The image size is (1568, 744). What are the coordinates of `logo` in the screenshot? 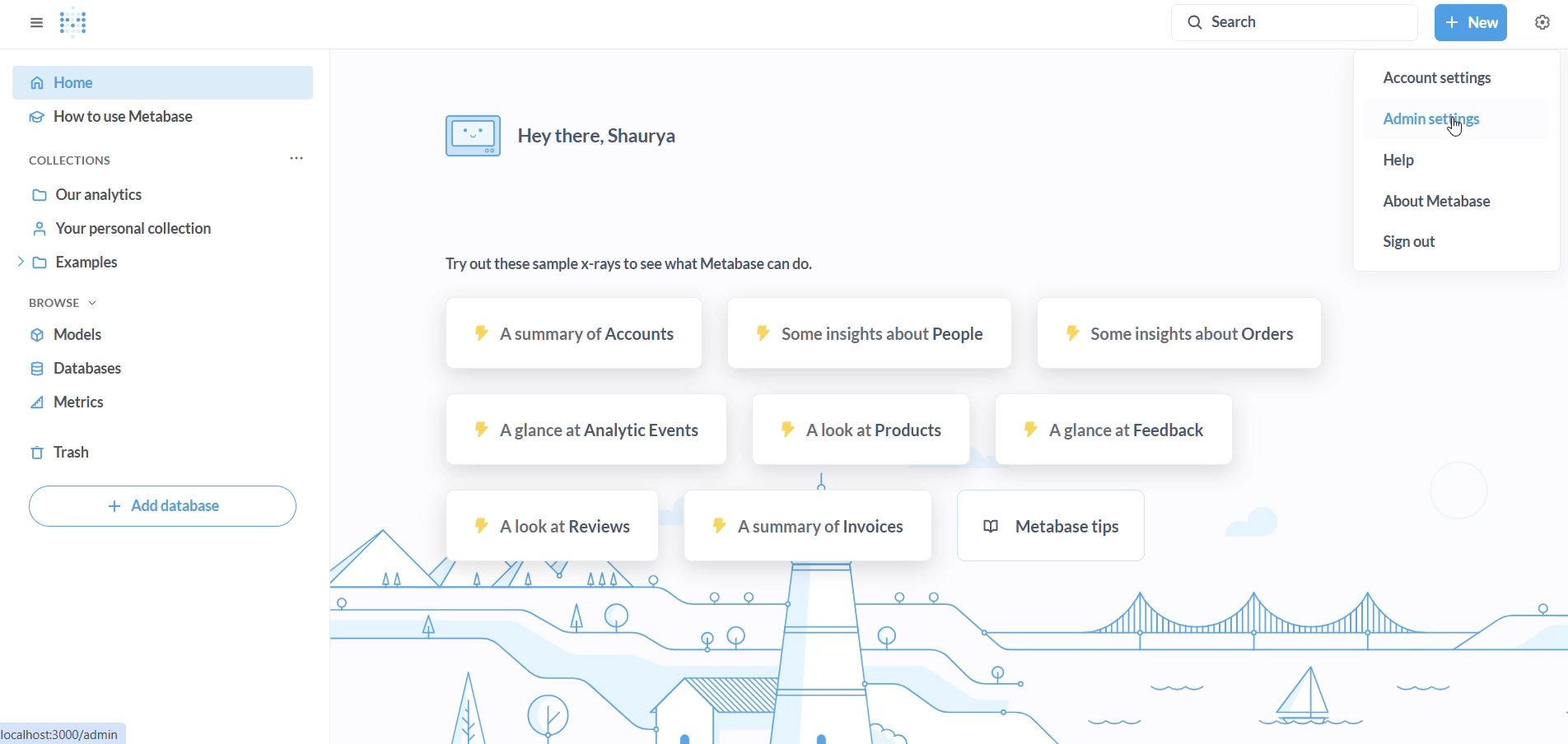 It's located at (76, 24).